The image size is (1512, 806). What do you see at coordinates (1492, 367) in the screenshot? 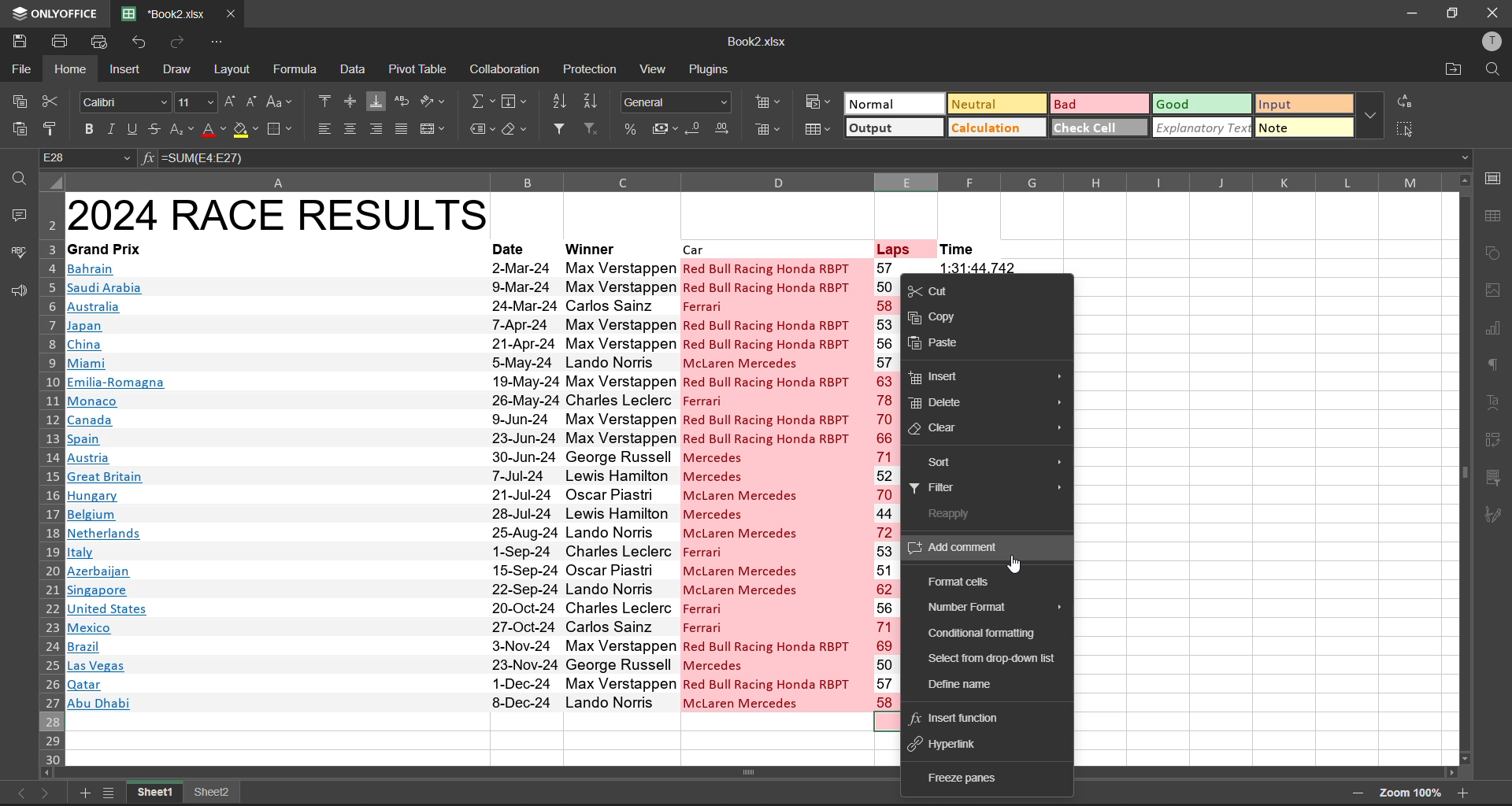
I see `paragraph ` at bounding box center [1492, 367].